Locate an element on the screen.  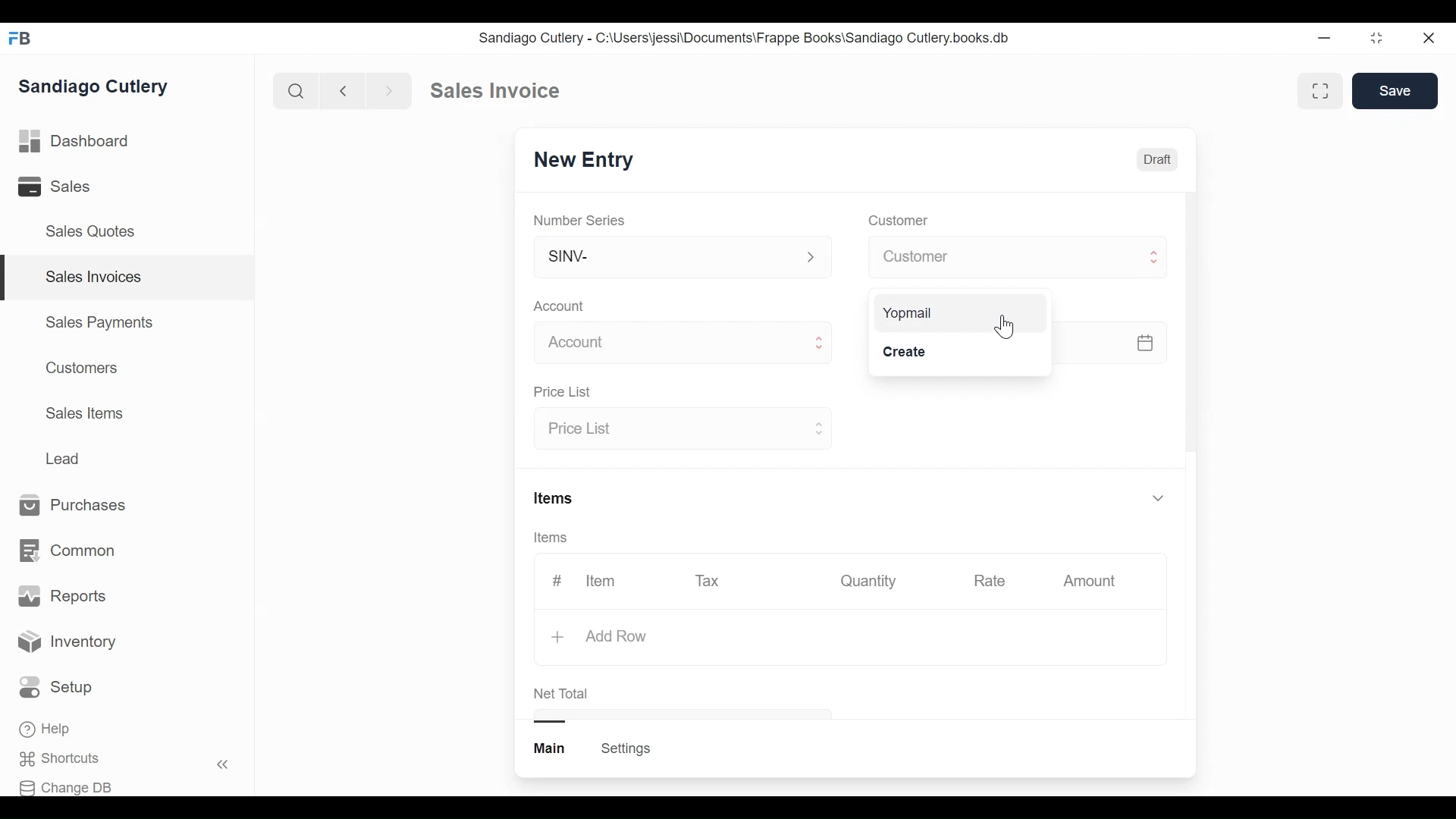
Common is located at coordinates (70, 551).